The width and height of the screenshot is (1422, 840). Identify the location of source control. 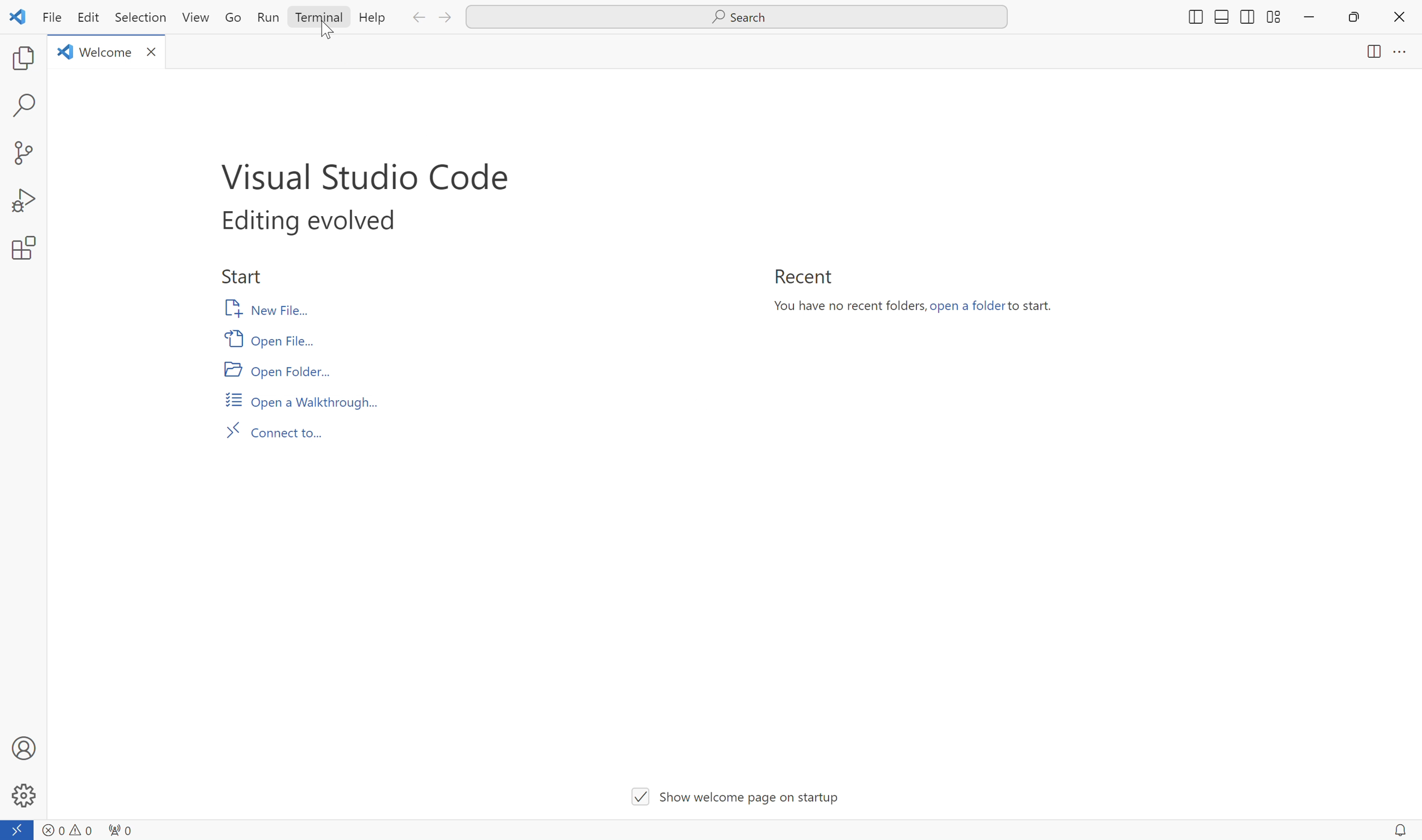
(22, 152).